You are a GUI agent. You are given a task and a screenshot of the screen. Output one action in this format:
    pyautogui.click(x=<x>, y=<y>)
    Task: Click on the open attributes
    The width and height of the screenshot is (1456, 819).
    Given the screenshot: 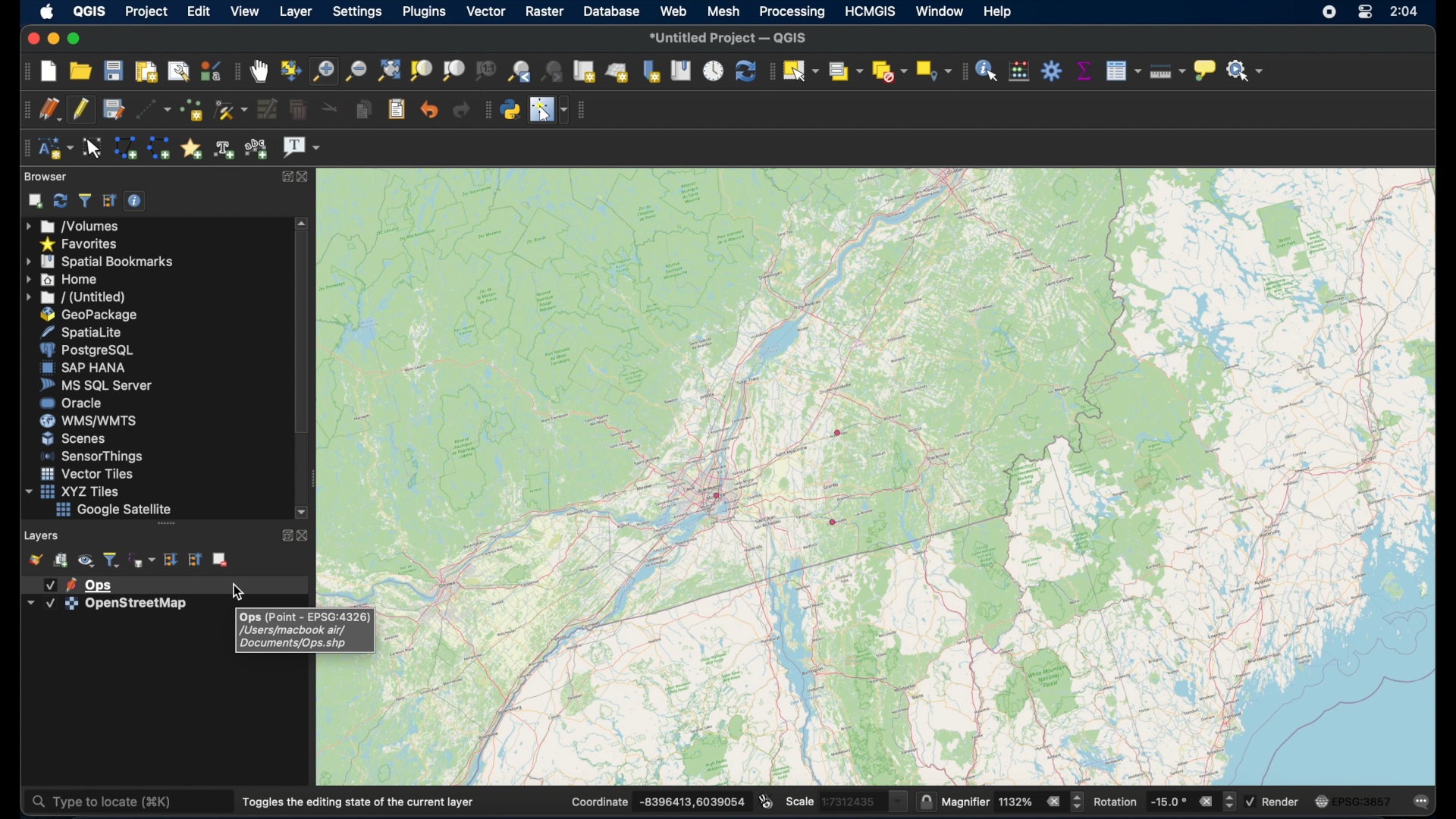 What is the action you would take?
    pyautogui.click(x=1122, y=71)
    